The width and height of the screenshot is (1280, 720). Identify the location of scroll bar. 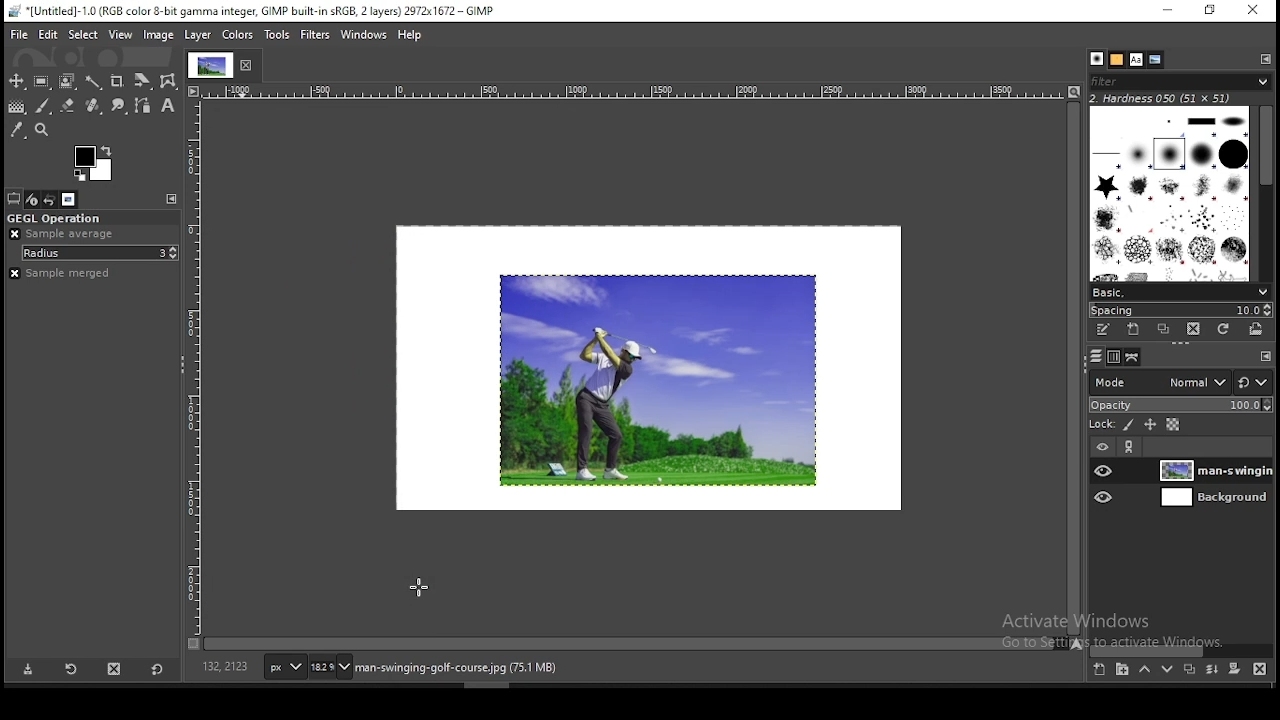
(635, 644).